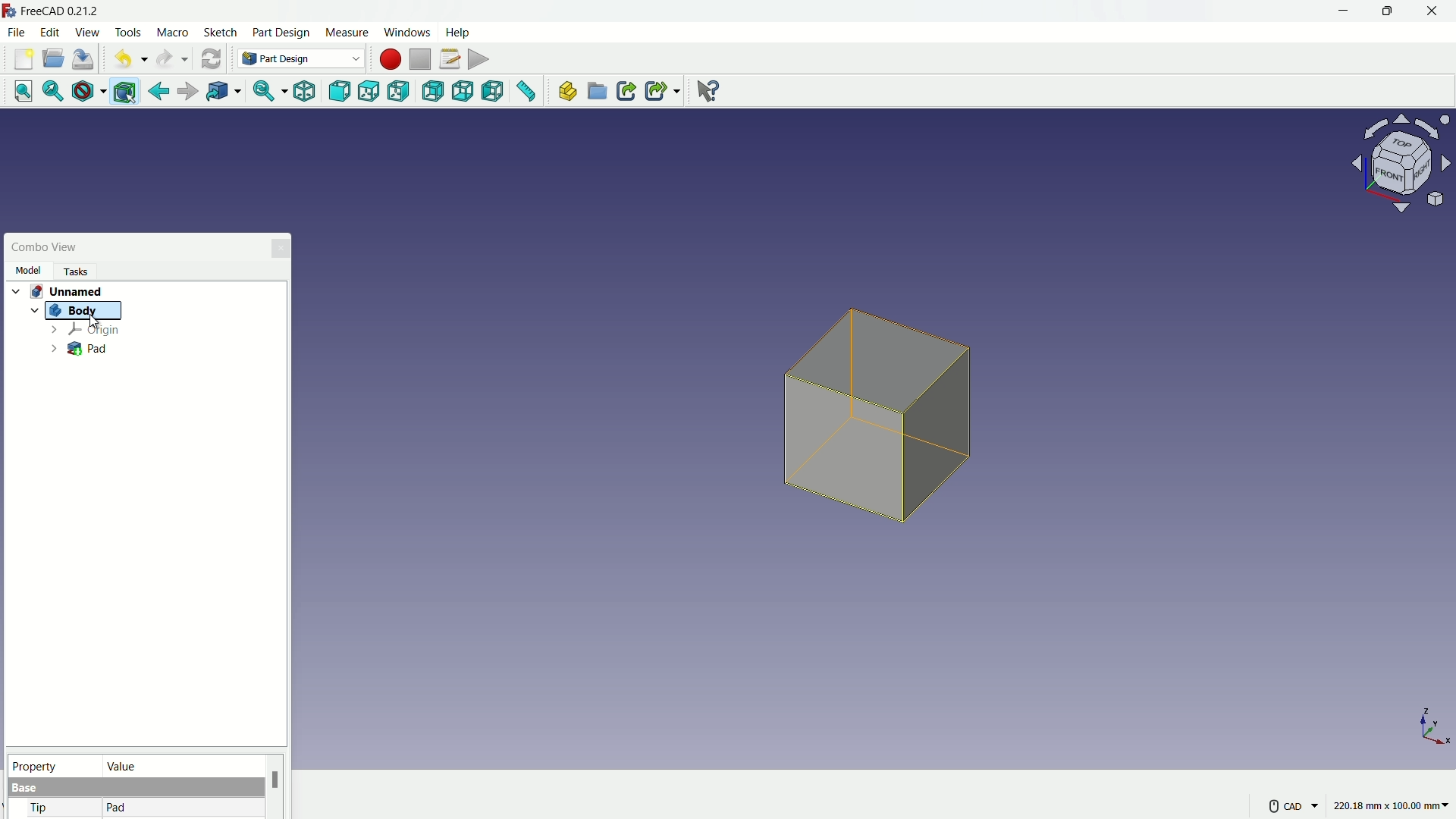 Image resolution: width=1456 pixels, height=819 pixels. Describe the element at coordinates (1291, 805) in the screenshot. I see `CAD` at that location.